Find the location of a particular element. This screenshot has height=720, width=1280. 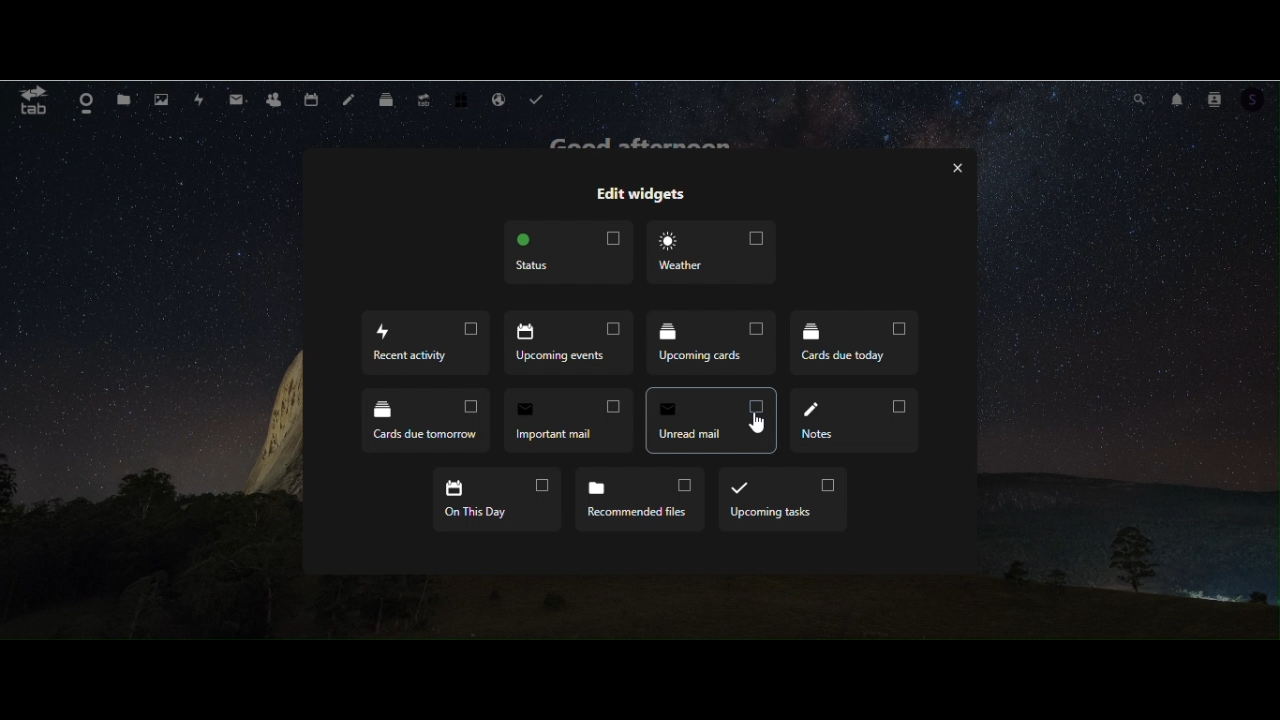

mail is located at coordinates (237, 99).